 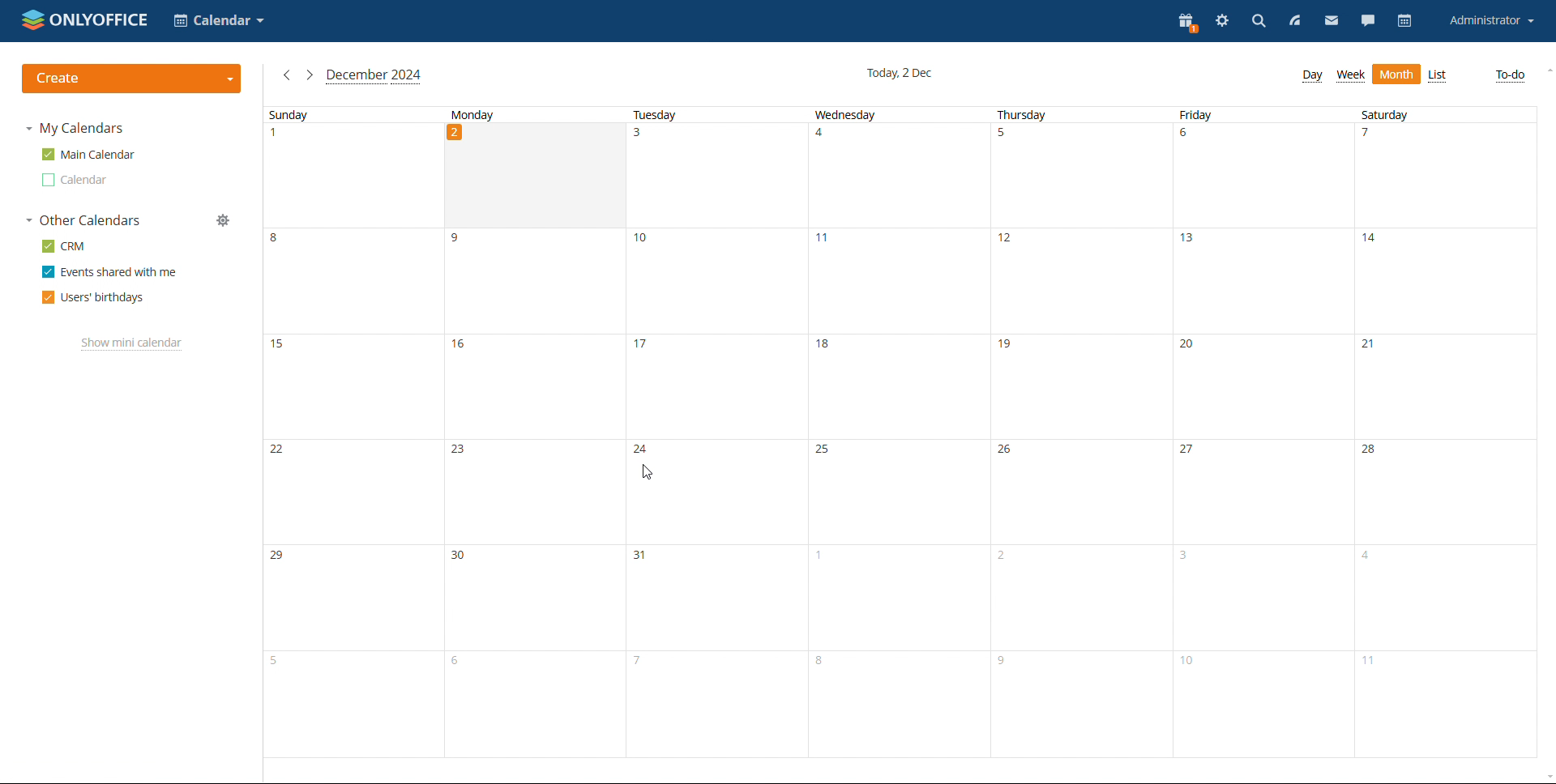 What do you see at coordinates (1371, 347) in the screenshot?
I see `21` at bounding box center [1371, 347].